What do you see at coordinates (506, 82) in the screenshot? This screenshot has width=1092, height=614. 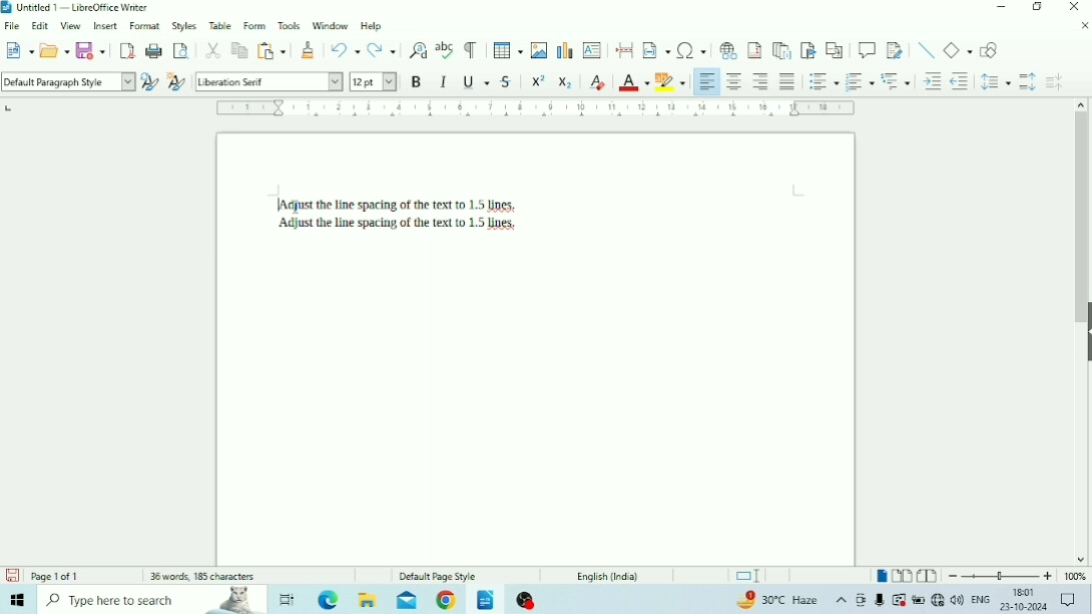 I see `Strikethrough` at bounding box center [506, 82].